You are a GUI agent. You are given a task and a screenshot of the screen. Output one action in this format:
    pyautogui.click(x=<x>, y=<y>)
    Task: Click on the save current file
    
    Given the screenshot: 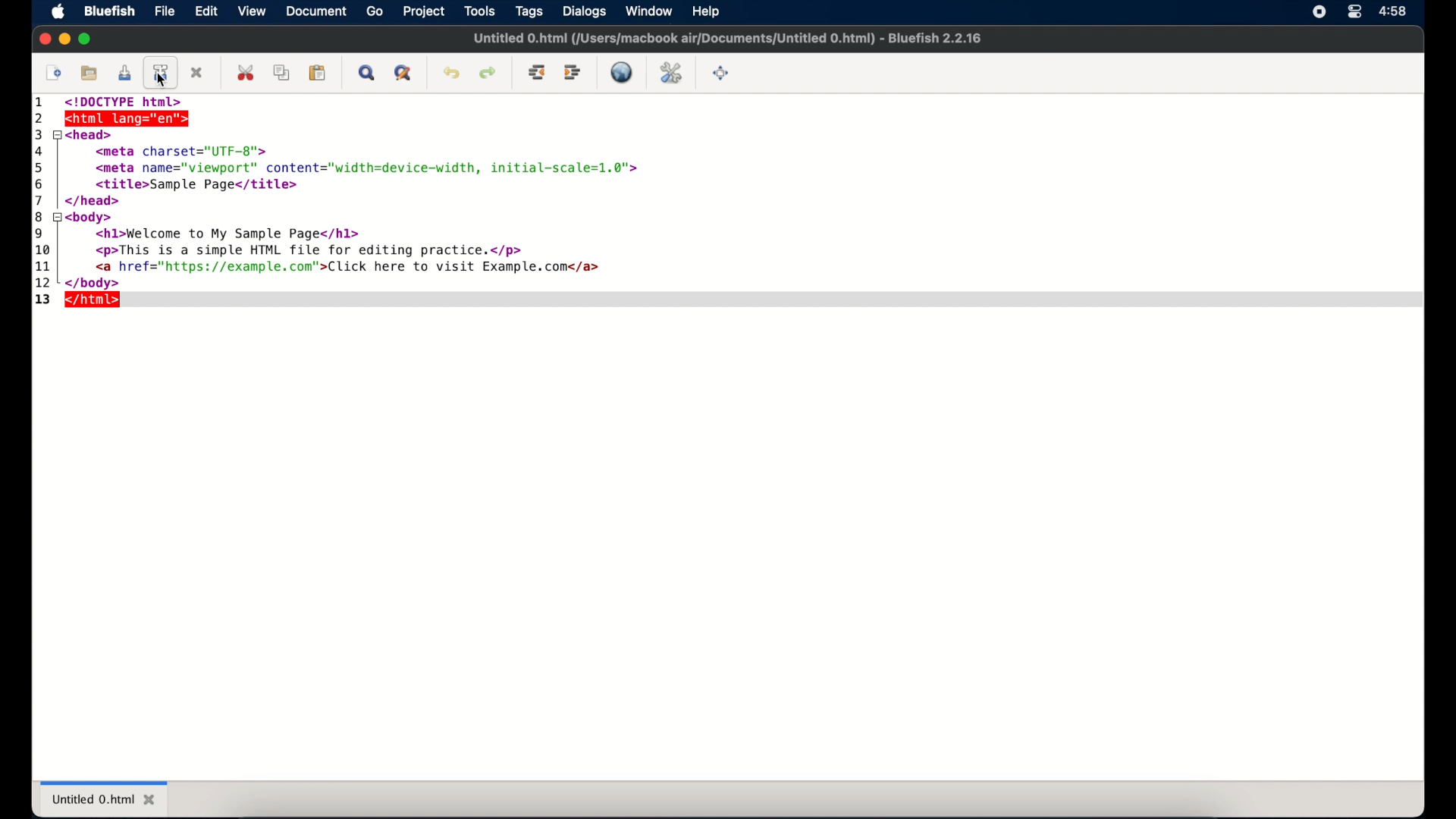 What is the action you would take?
    pyautogui.click(x=124, y=73)
    